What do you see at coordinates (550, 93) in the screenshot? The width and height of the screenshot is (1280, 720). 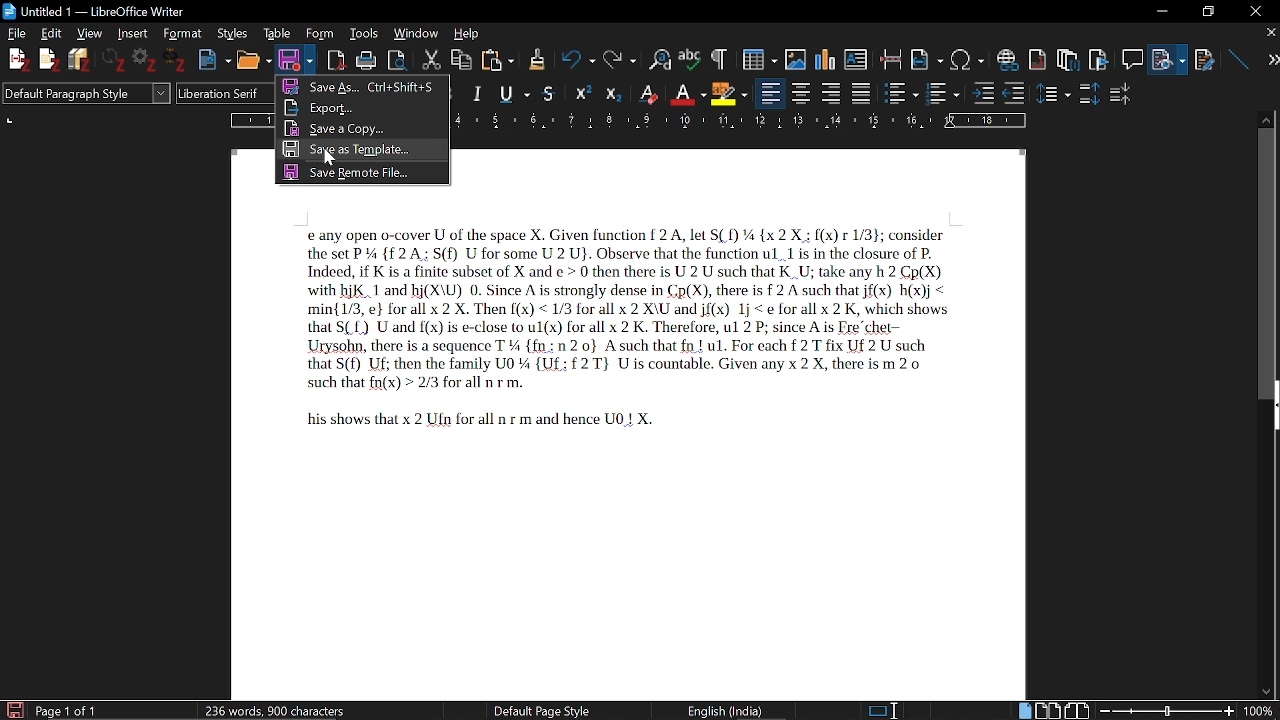 I see `Strike through` at bounding box center [550, 93].